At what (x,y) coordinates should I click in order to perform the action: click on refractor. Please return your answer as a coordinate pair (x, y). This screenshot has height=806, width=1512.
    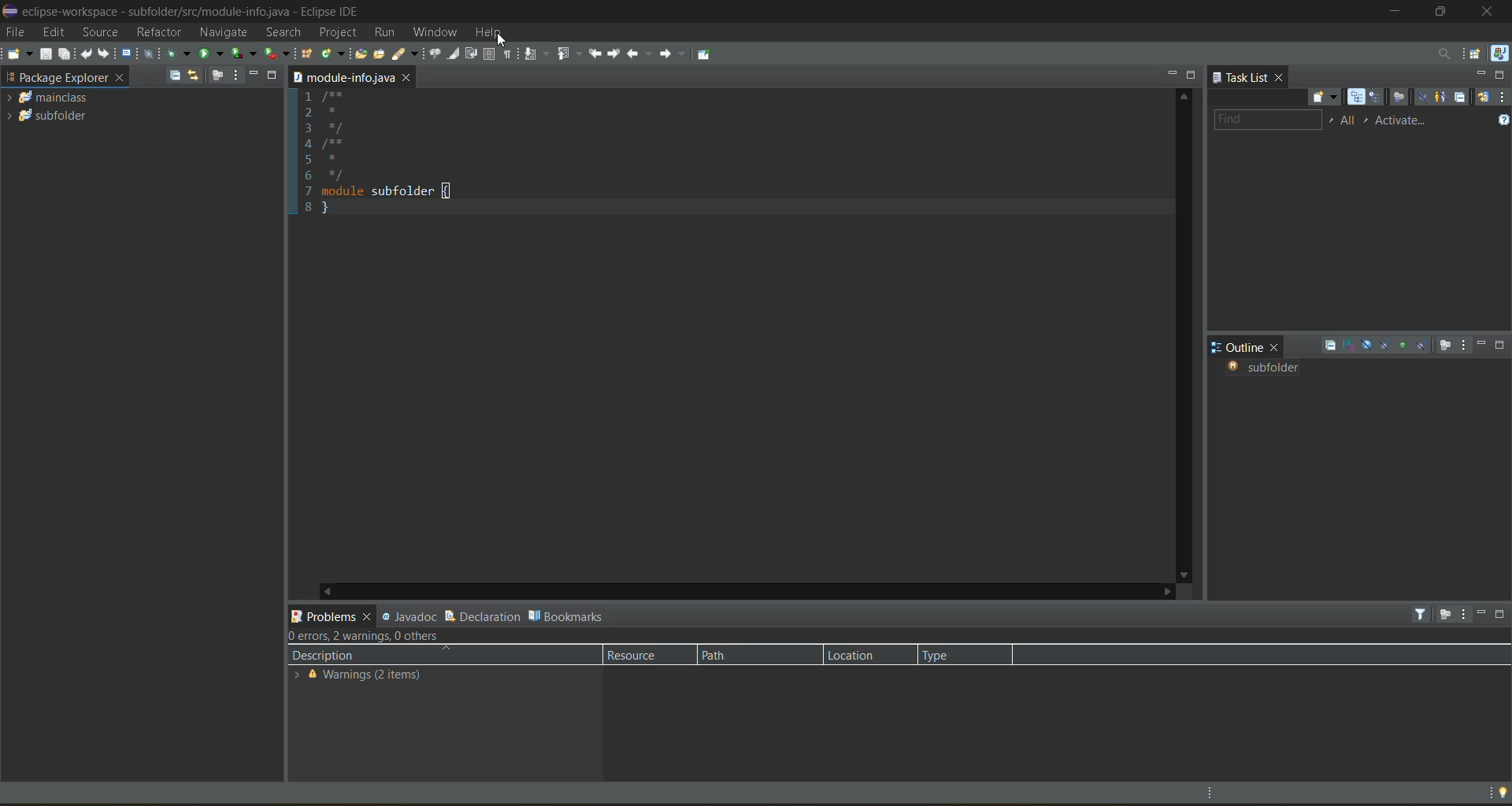
    Looking at the image, I should click on (159, 35).